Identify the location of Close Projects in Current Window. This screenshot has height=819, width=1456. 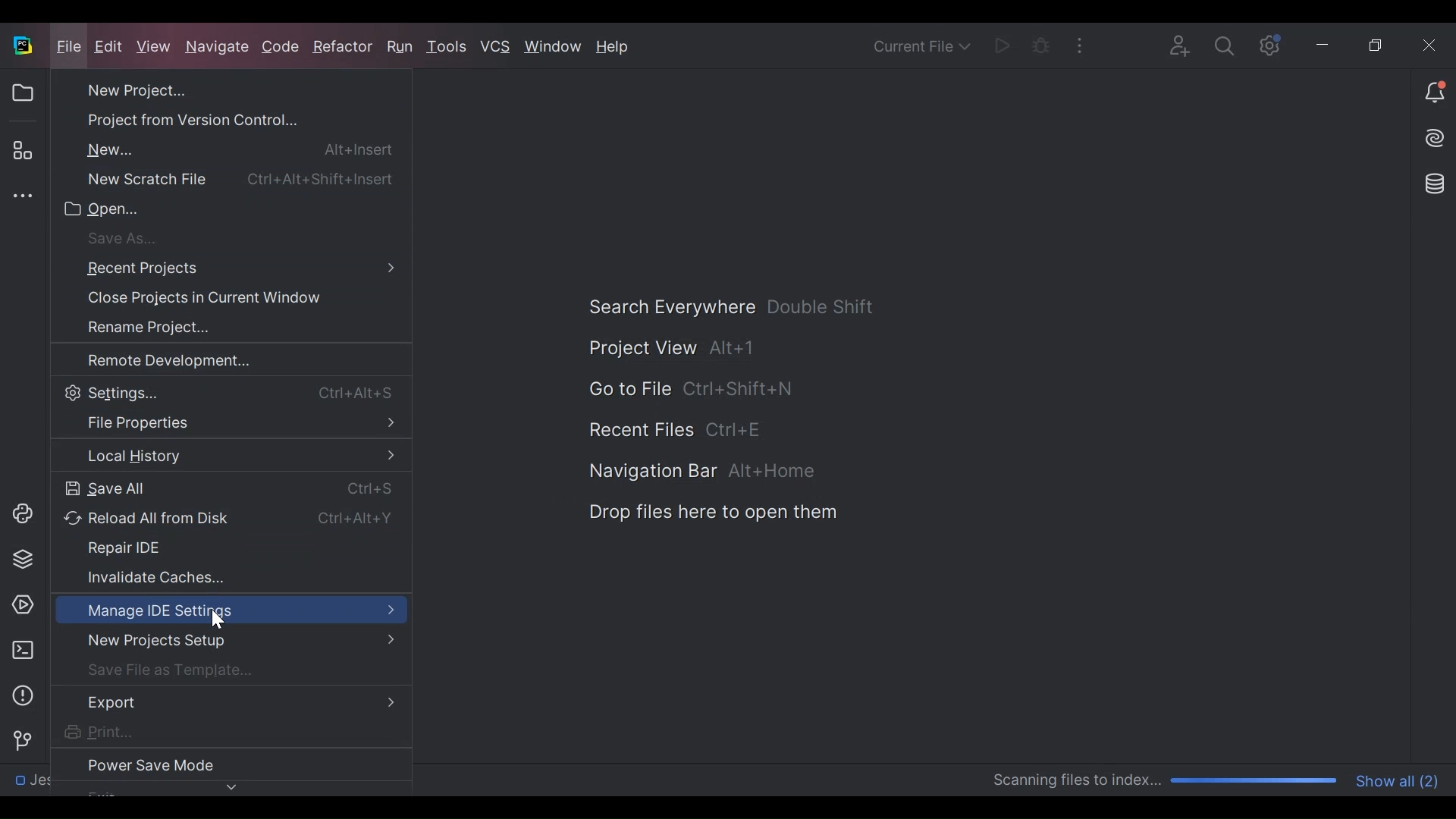
(206, 300).